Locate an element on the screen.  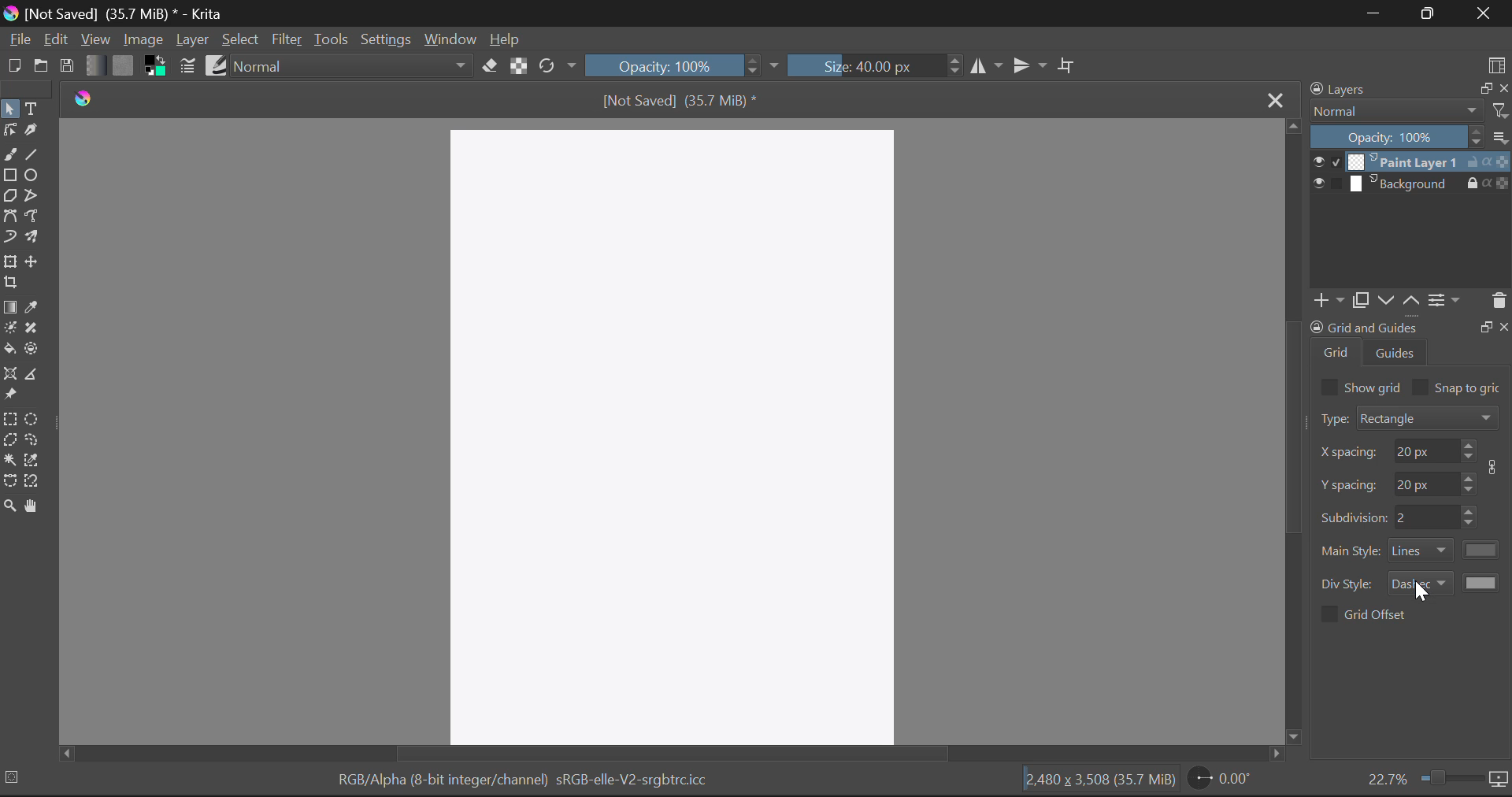
Tools is located at coordinates (330, 39).